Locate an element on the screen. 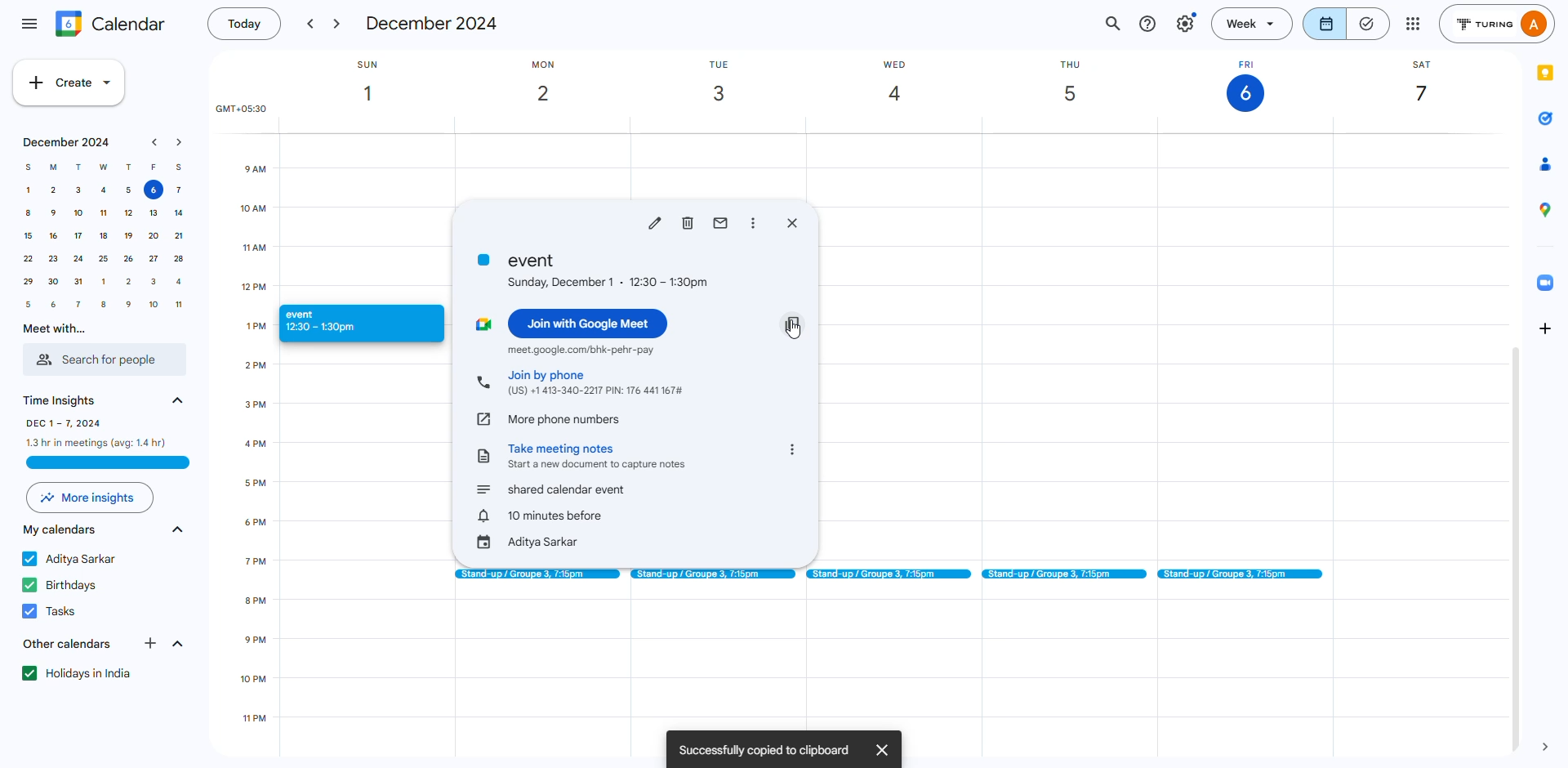 The height and width of the screenshot is (768, 1568). meet is located at coordinates (483, 324).